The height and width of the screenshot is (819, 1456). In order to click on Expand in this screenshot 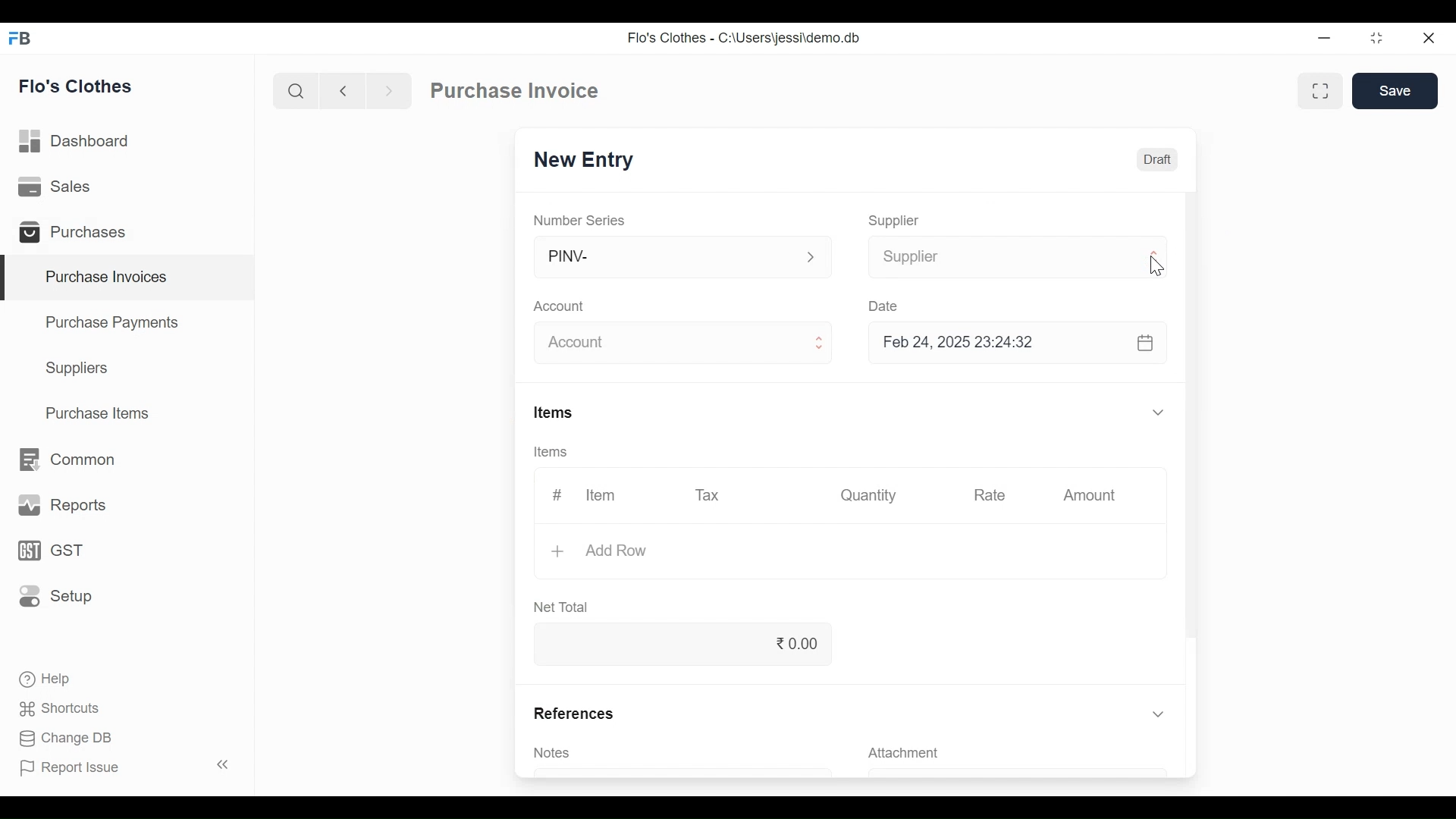, I will do `click(817, 344)`.